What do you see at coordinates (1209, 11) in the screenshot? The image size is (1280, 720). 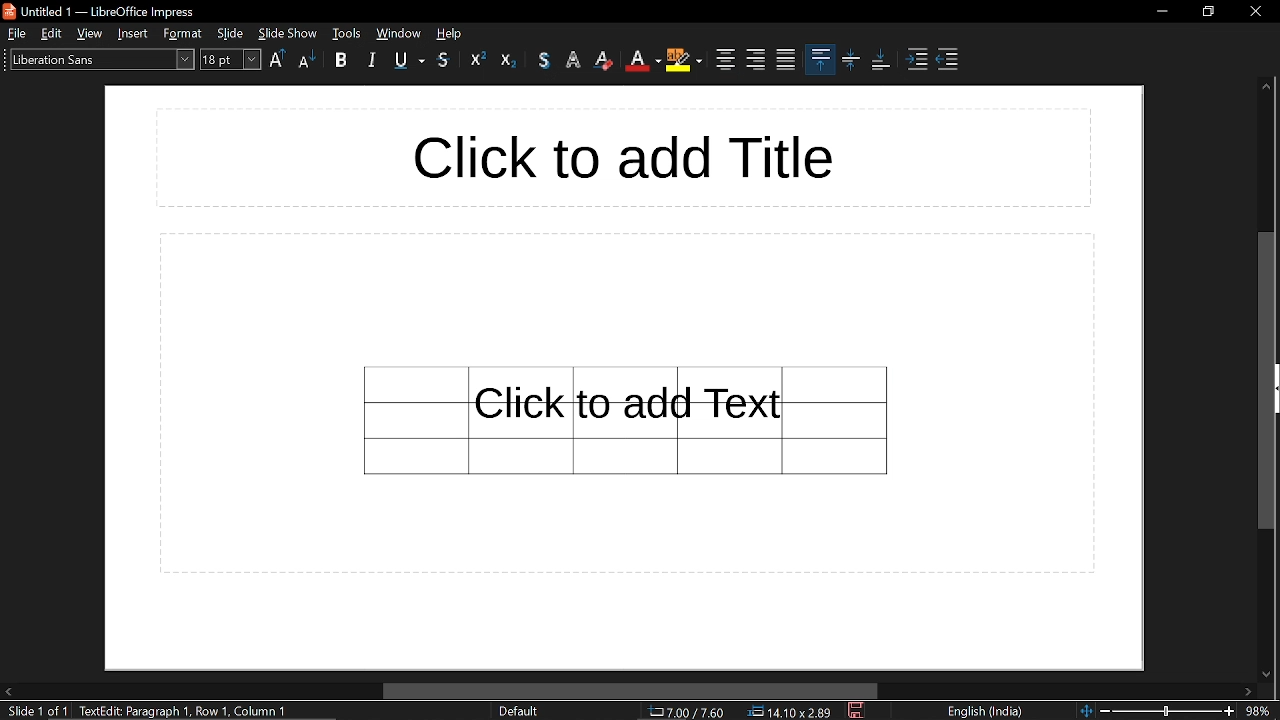 I see `restore down` at bounding box center [1209, 11].